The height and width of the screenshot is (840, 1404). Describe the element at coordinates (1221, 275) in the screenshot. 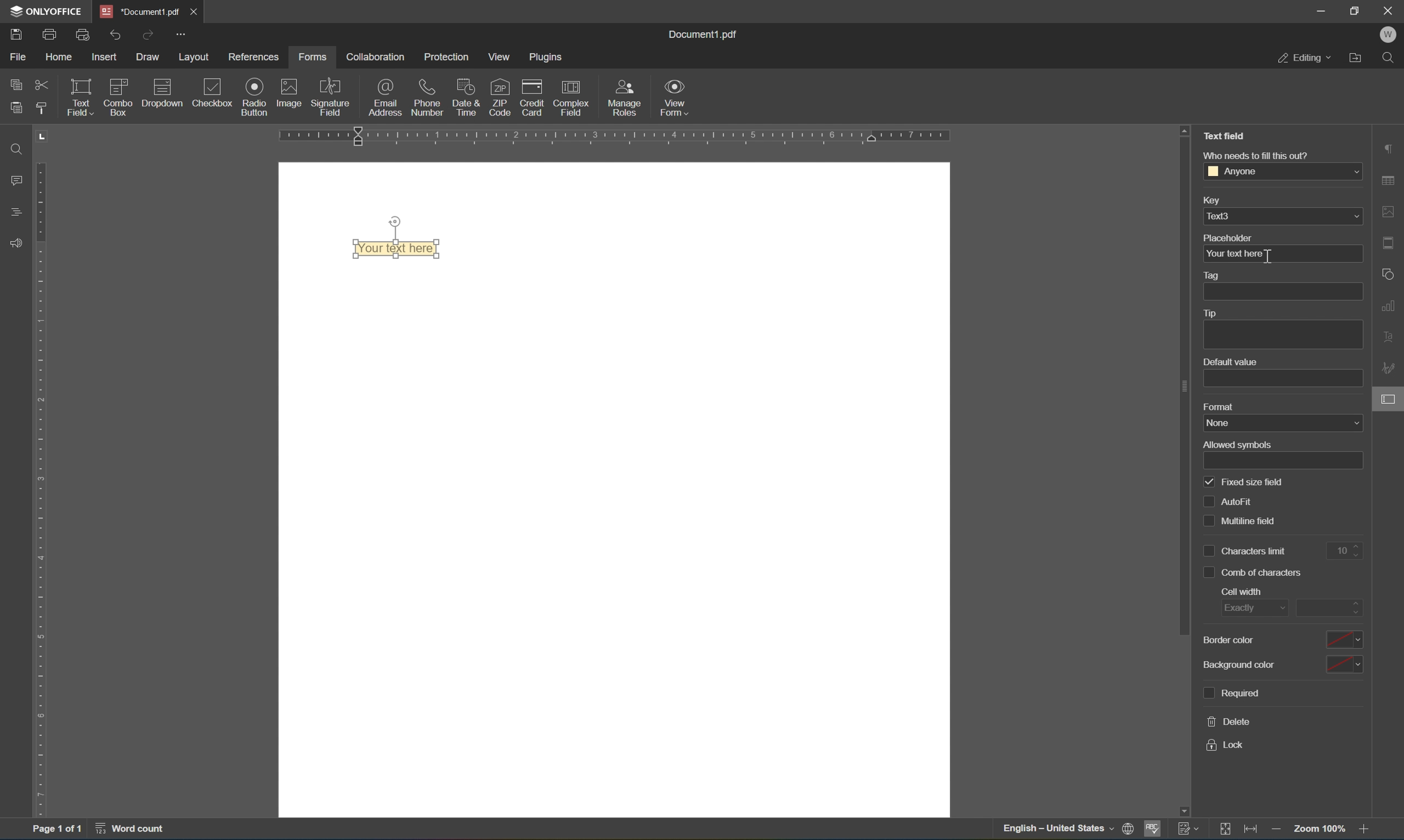

I see `tag` at that location.